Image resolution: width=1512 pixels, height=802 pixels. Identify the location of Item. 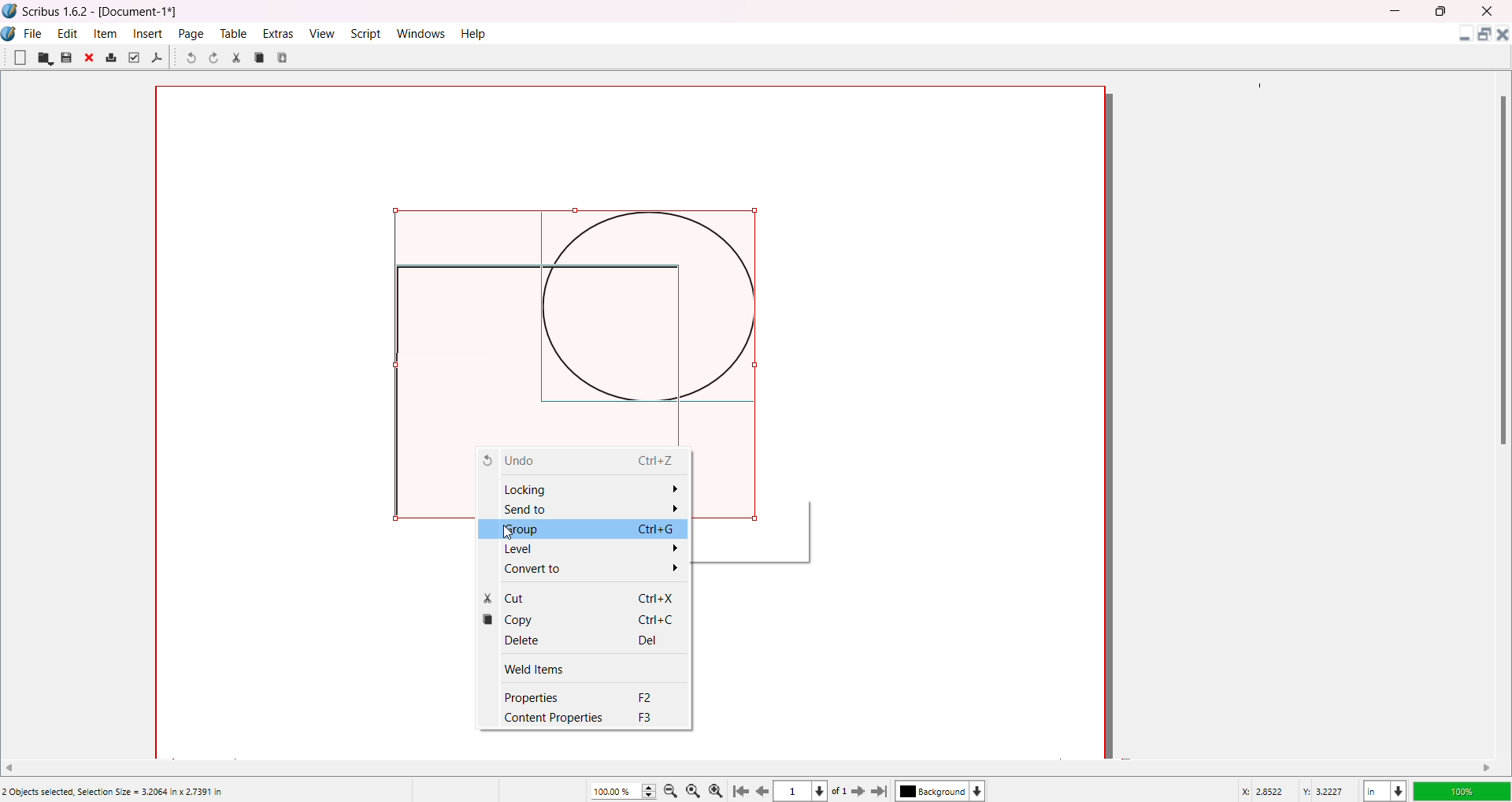
(107, 33).